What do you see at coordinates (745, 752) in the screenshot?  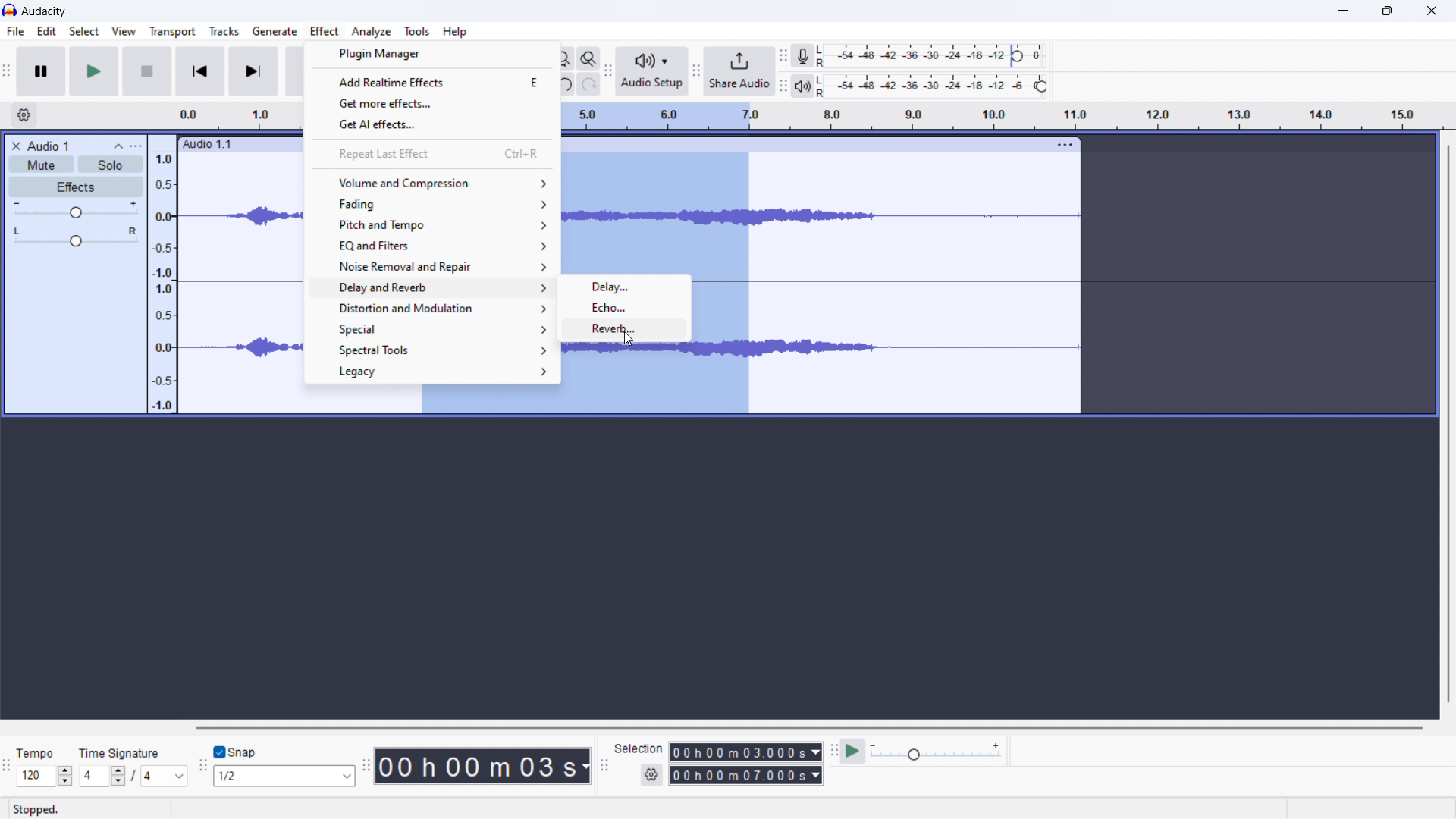 I see `00 h 00 m 03.000s` at bounding box center [745, 752].